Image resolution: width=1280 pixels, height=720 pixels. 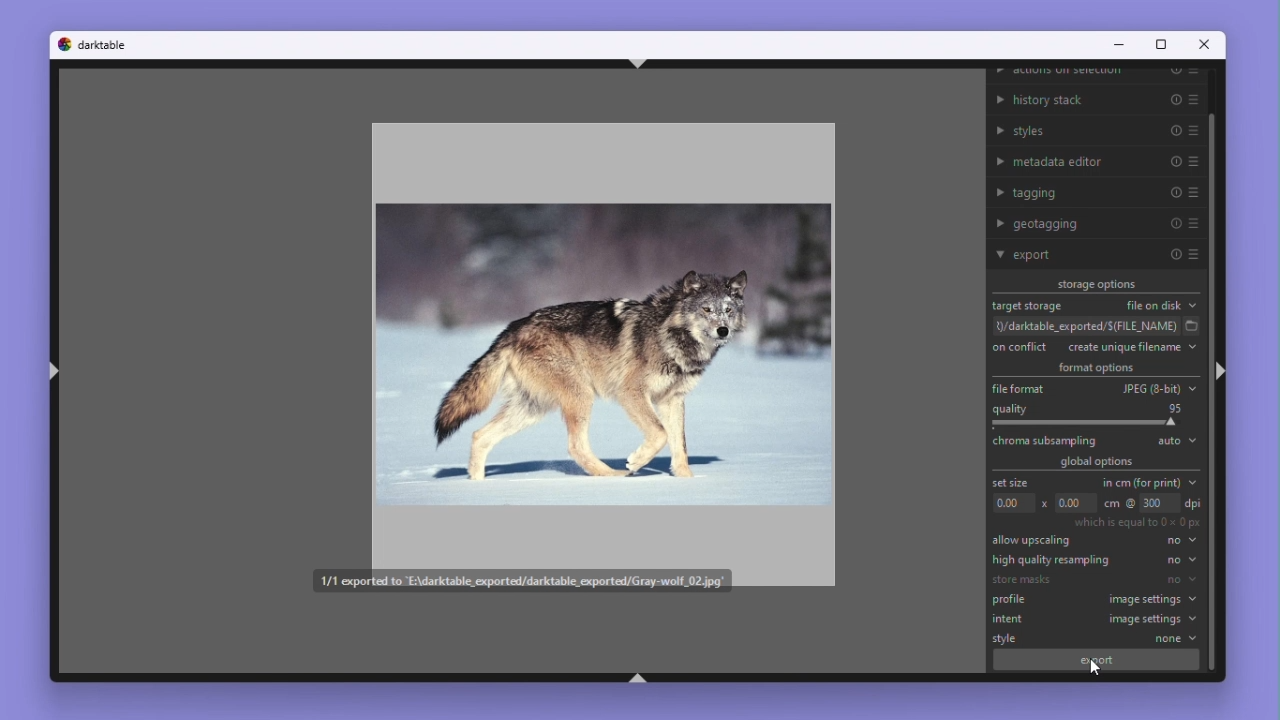 I want to click on ctrl+shift+r, so click(x=1223, y=371).